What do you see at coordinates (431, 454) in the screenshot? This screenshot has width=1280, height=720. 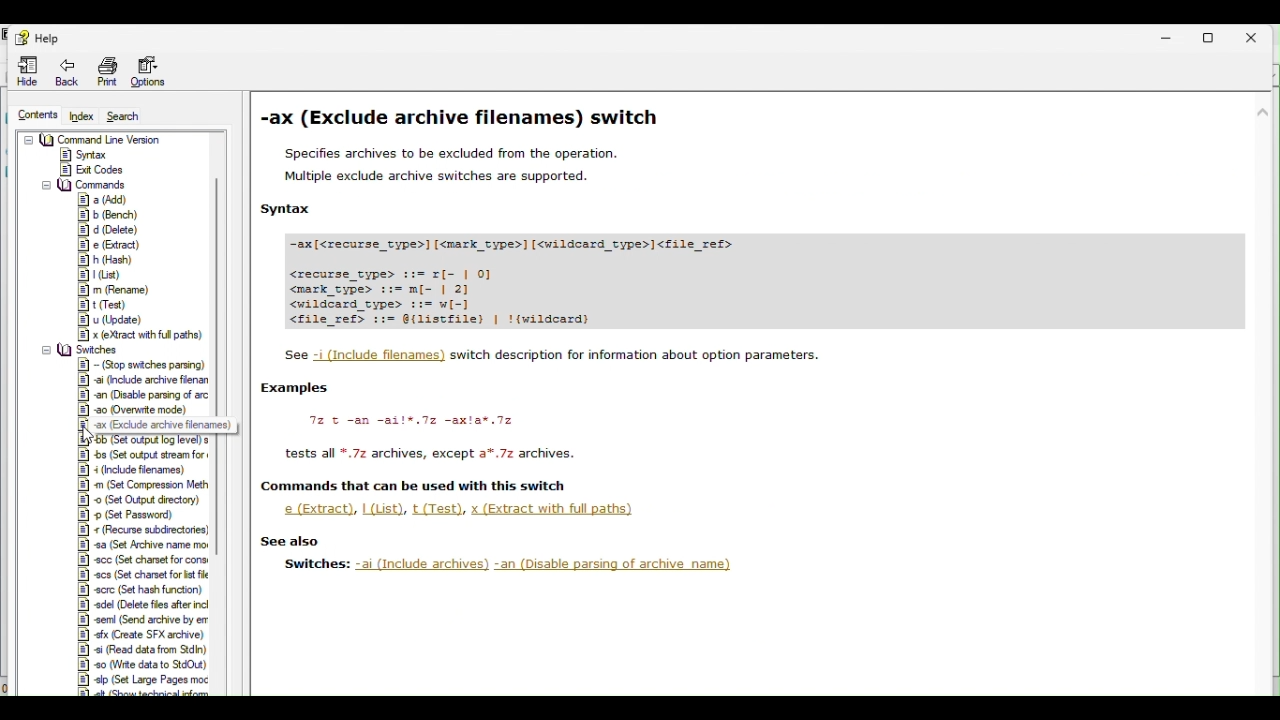 I see `tests all *.7z archives, except a*.7z archives.` at bounding box center [431, 454].